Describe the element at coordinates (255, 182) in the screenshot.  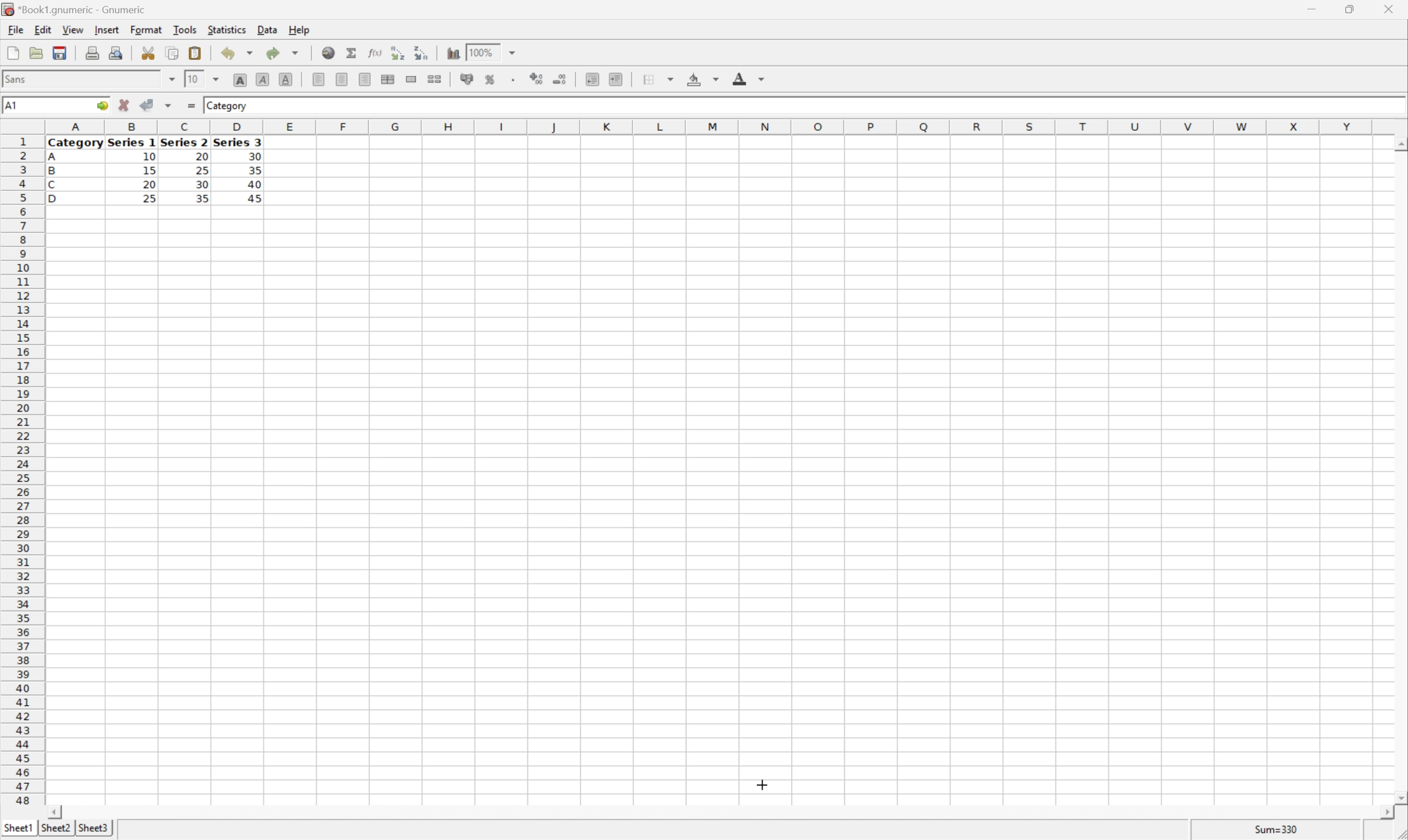
I see `40` at that location.